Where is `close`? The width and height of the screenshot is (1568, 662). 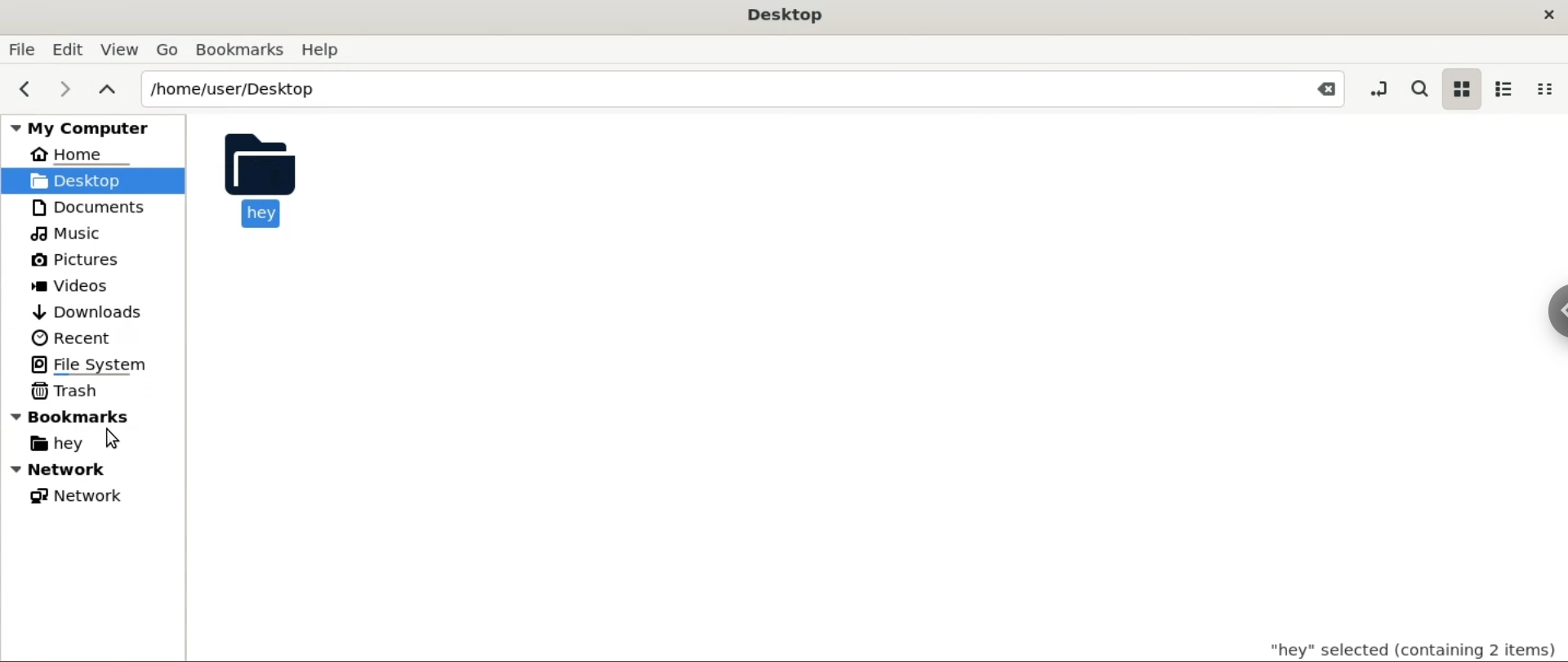 close is located at coordinates (1542, 16).